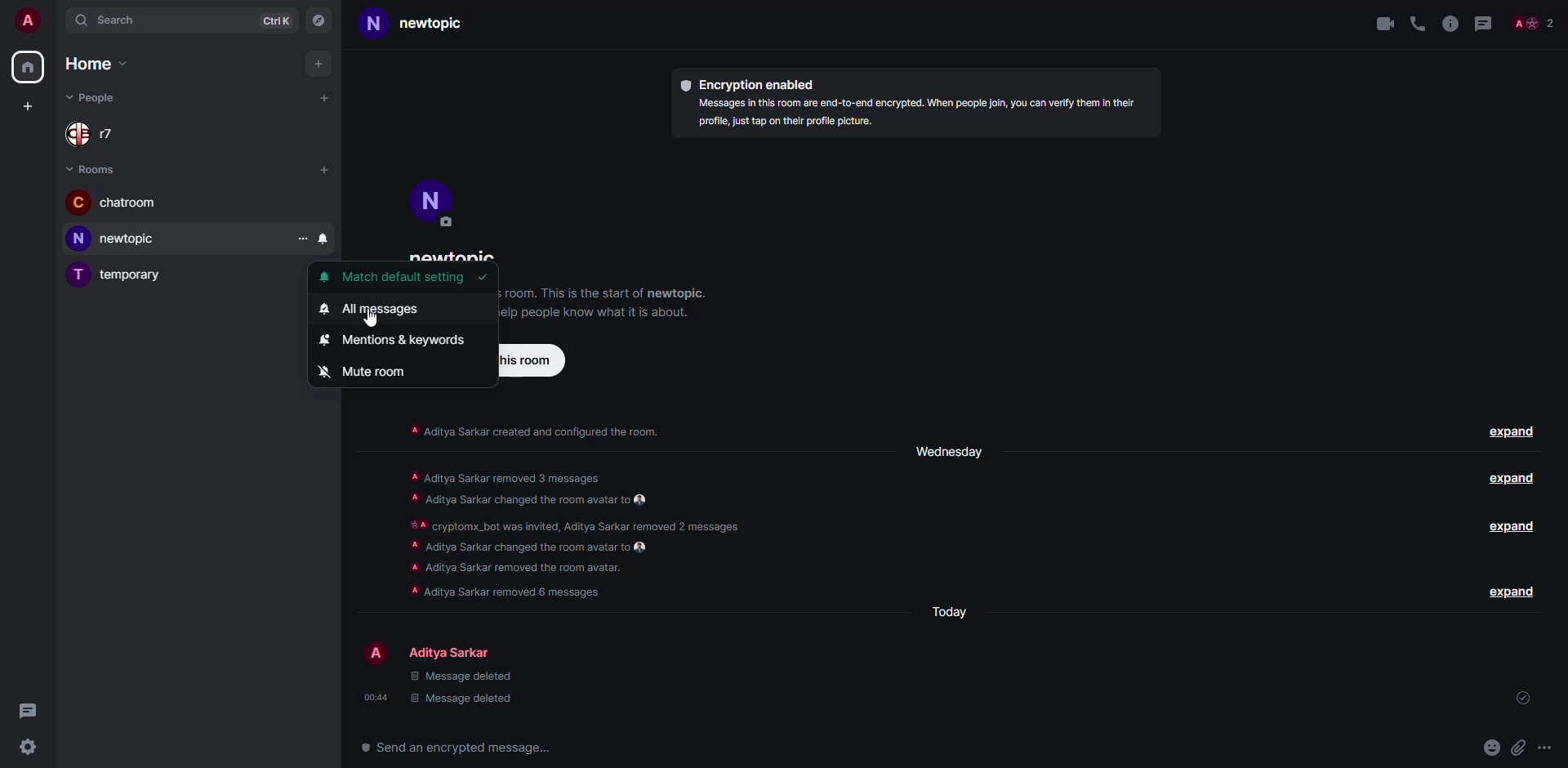  Describe the element at coordinates (567, 534) in the screenshot. I see `info` at that location.